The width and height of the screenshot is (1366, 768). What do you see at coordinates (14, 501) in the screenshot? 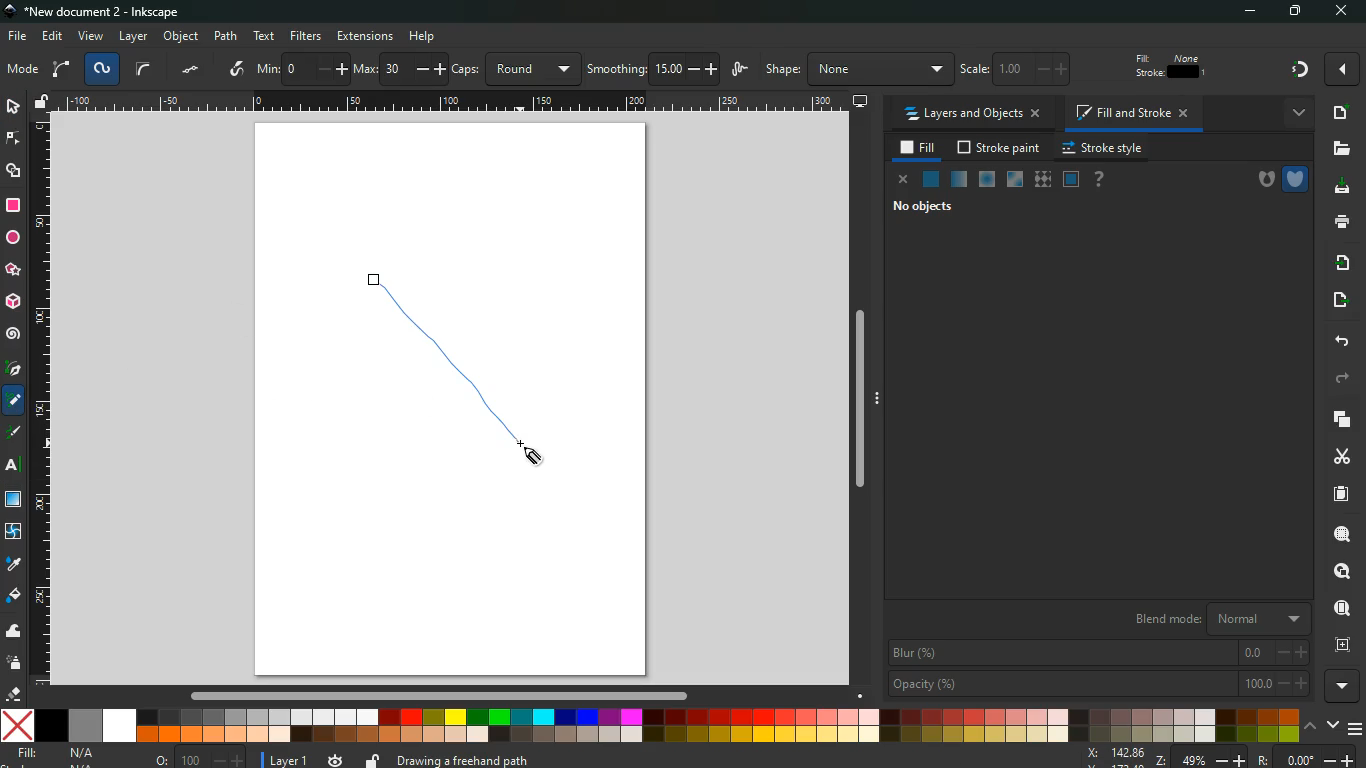
I see `window` at bounding box center [14, 501].